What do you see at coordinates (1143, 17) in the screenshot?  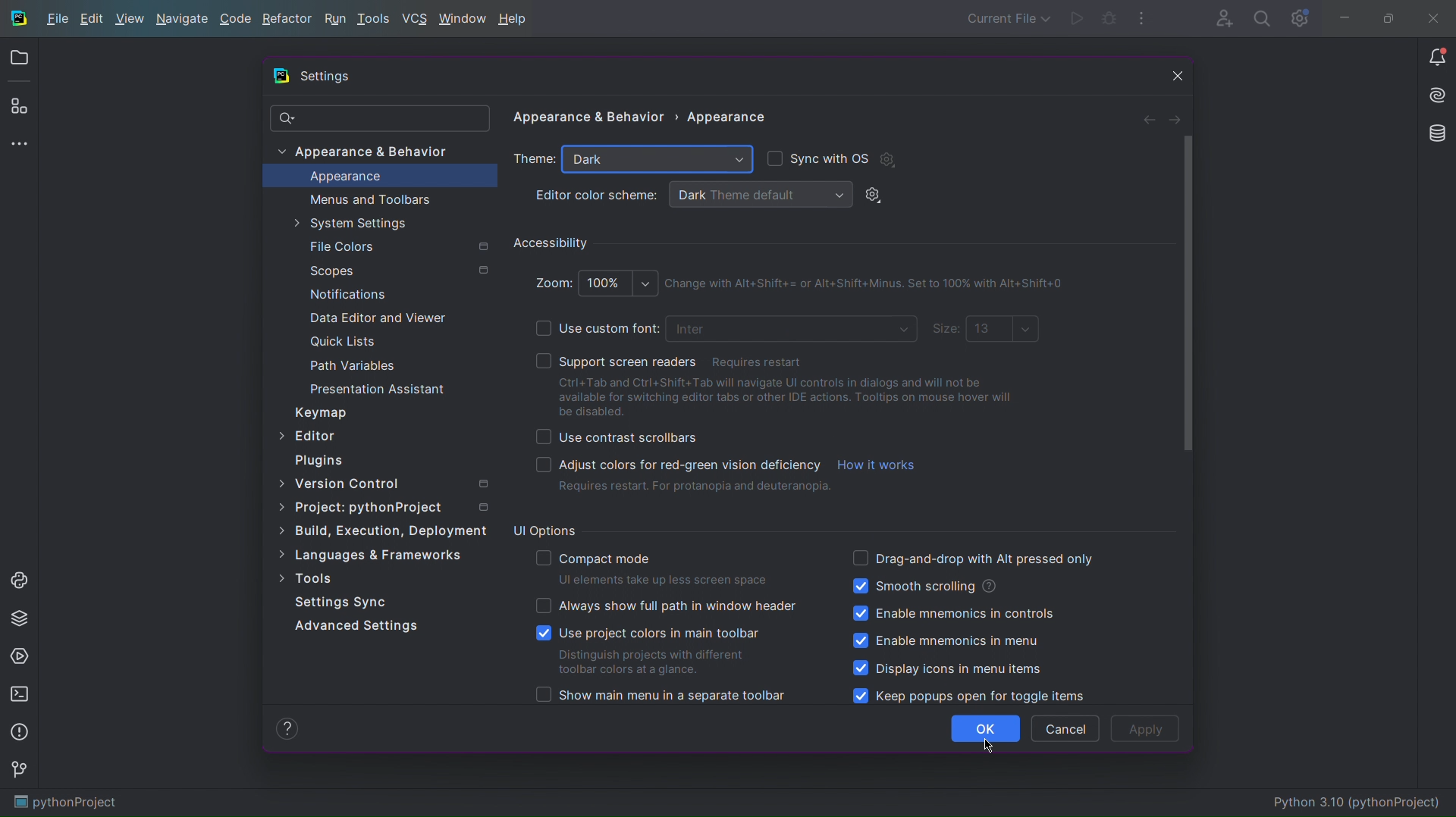 I see `More` at bounding box center [1143, 17].